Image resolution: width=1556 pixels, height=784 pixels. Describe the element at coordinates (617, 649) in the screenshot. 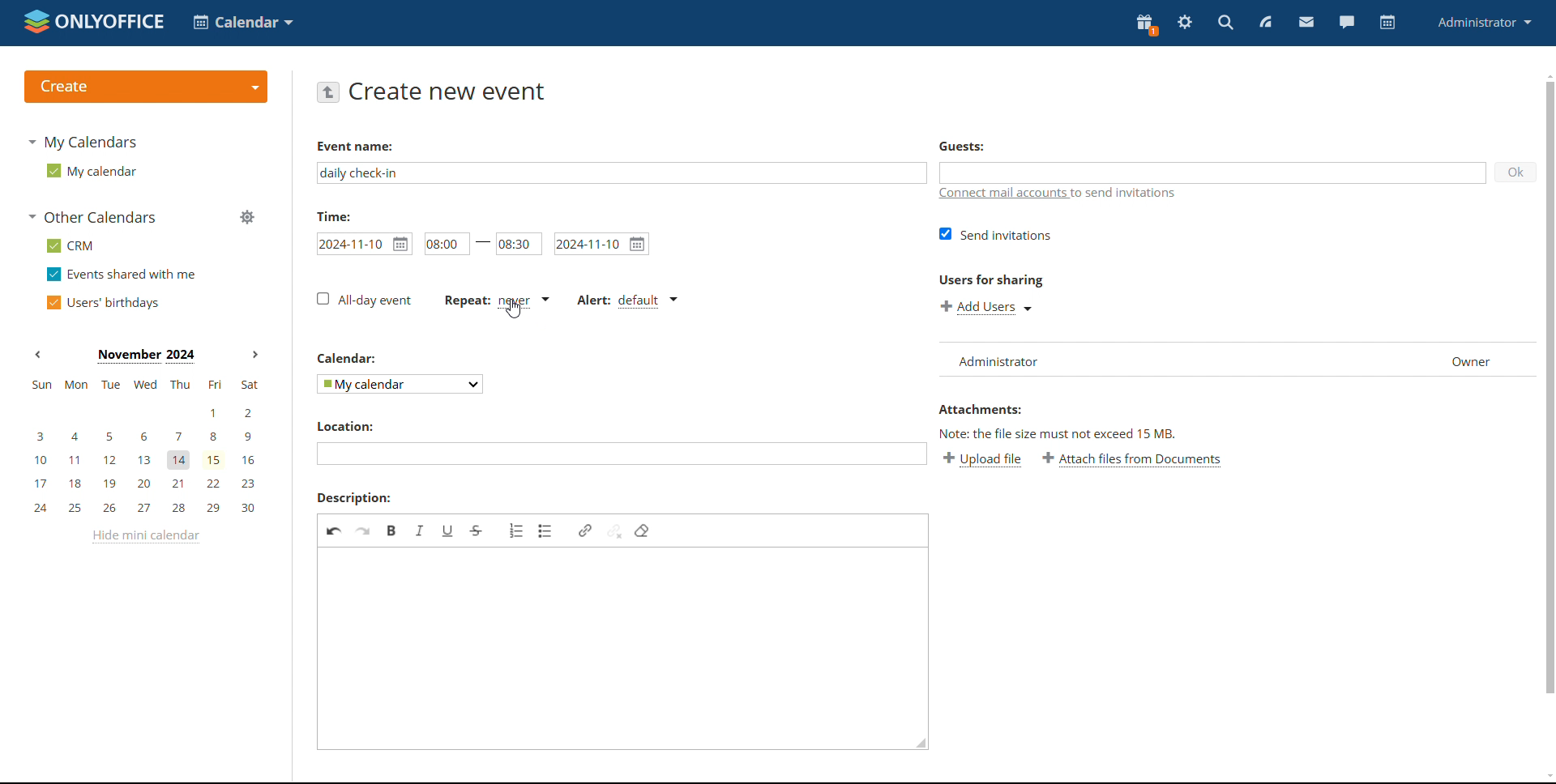

I see `add description` at that location.